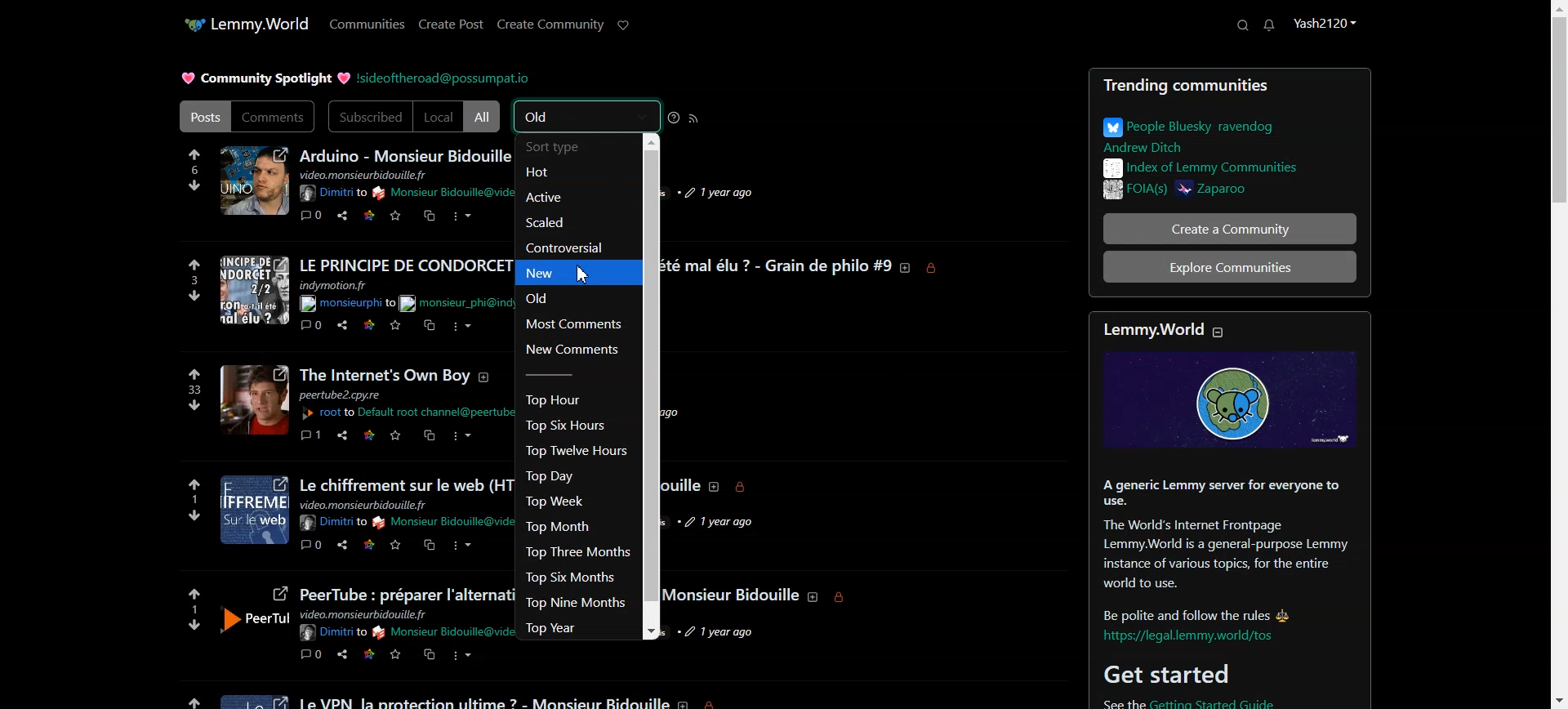 This screenshot has width=1568, height=709. What do you see at coordinates (1219, 547) in the screenshot?
I see `Text` at bounding box center [1219, 547].